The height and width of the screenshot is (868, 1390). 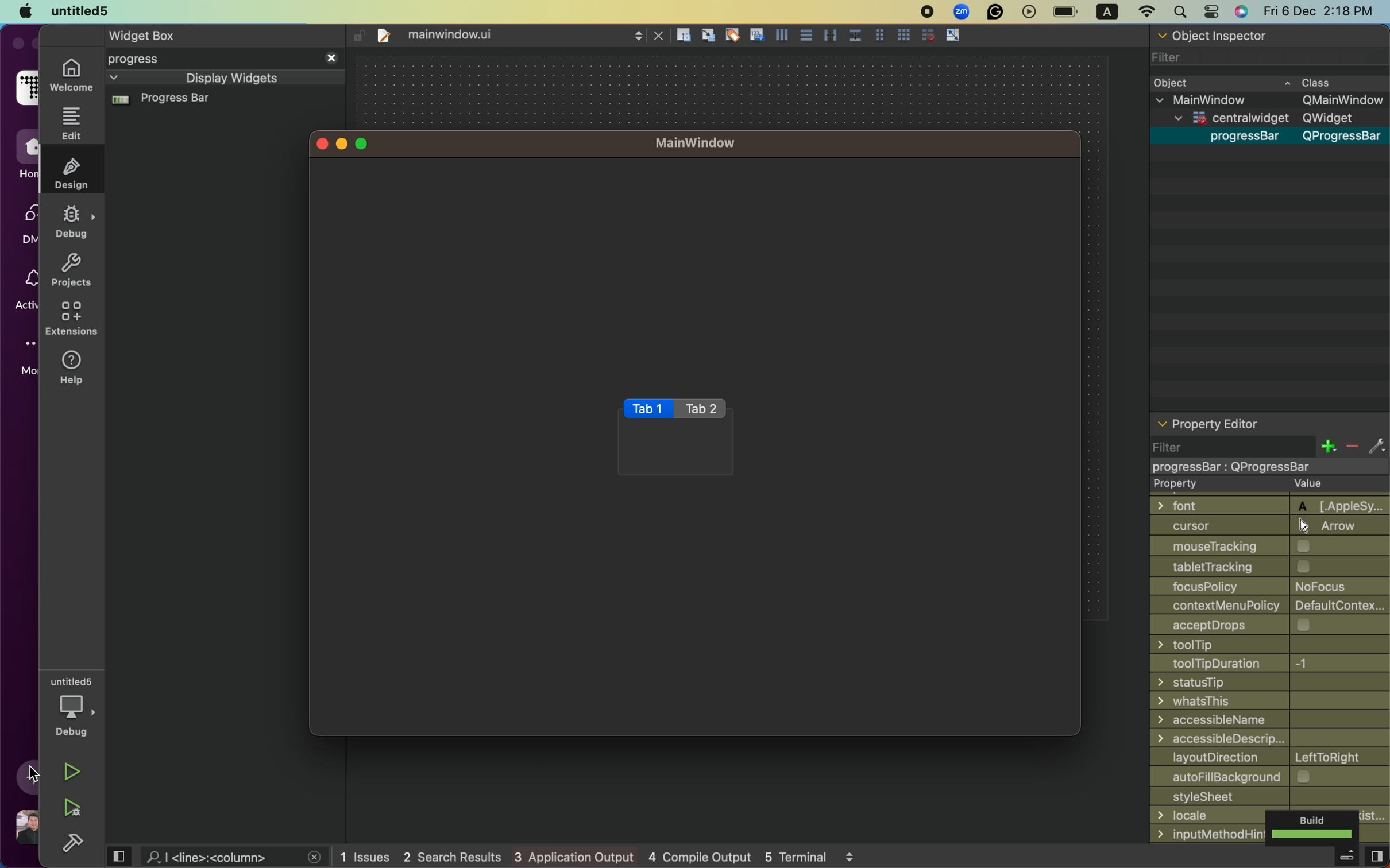 What do you see at coordinates (702, 409) in the screenshot?
I see `tab2` at bounding box center [702, 409].